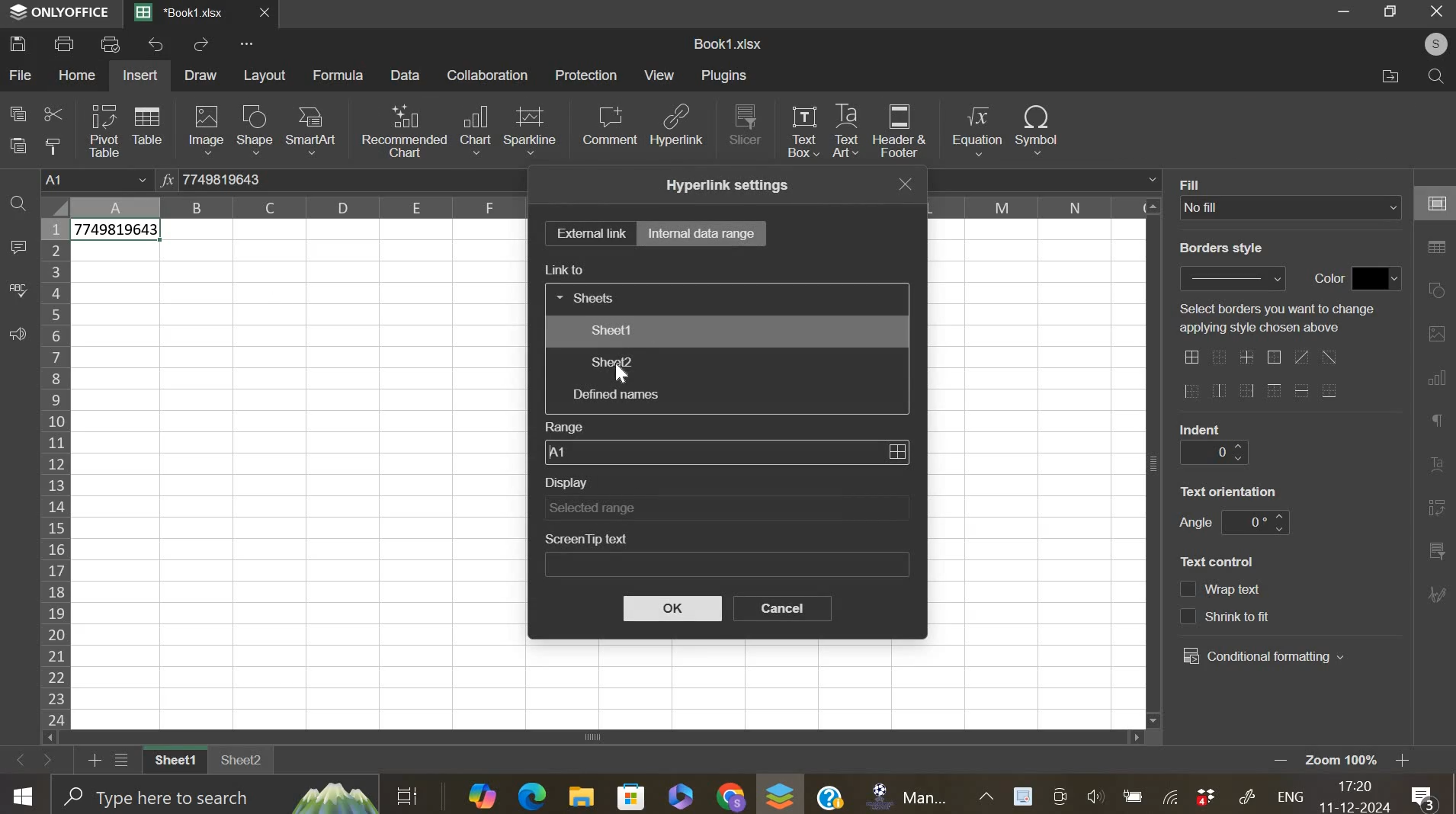 The height and width of the screenshot is (814, 1456). Describe the element at coordinates (1390, 76) in the screenshot. I see `files` at that location.